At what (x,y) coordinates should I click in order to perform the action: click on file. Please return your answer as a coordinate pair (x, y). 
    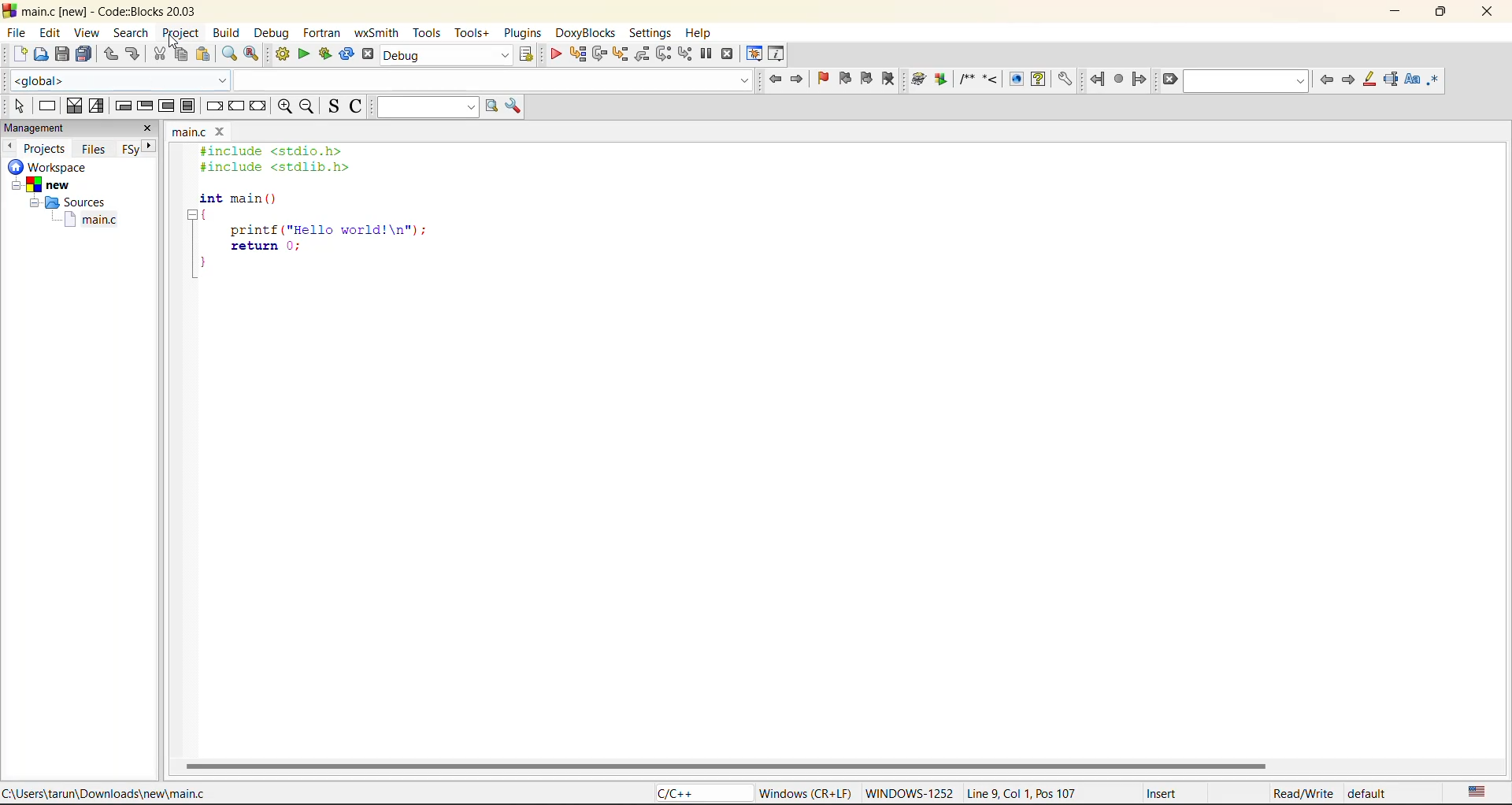
    Looking at the image, I should click on (14, 34).